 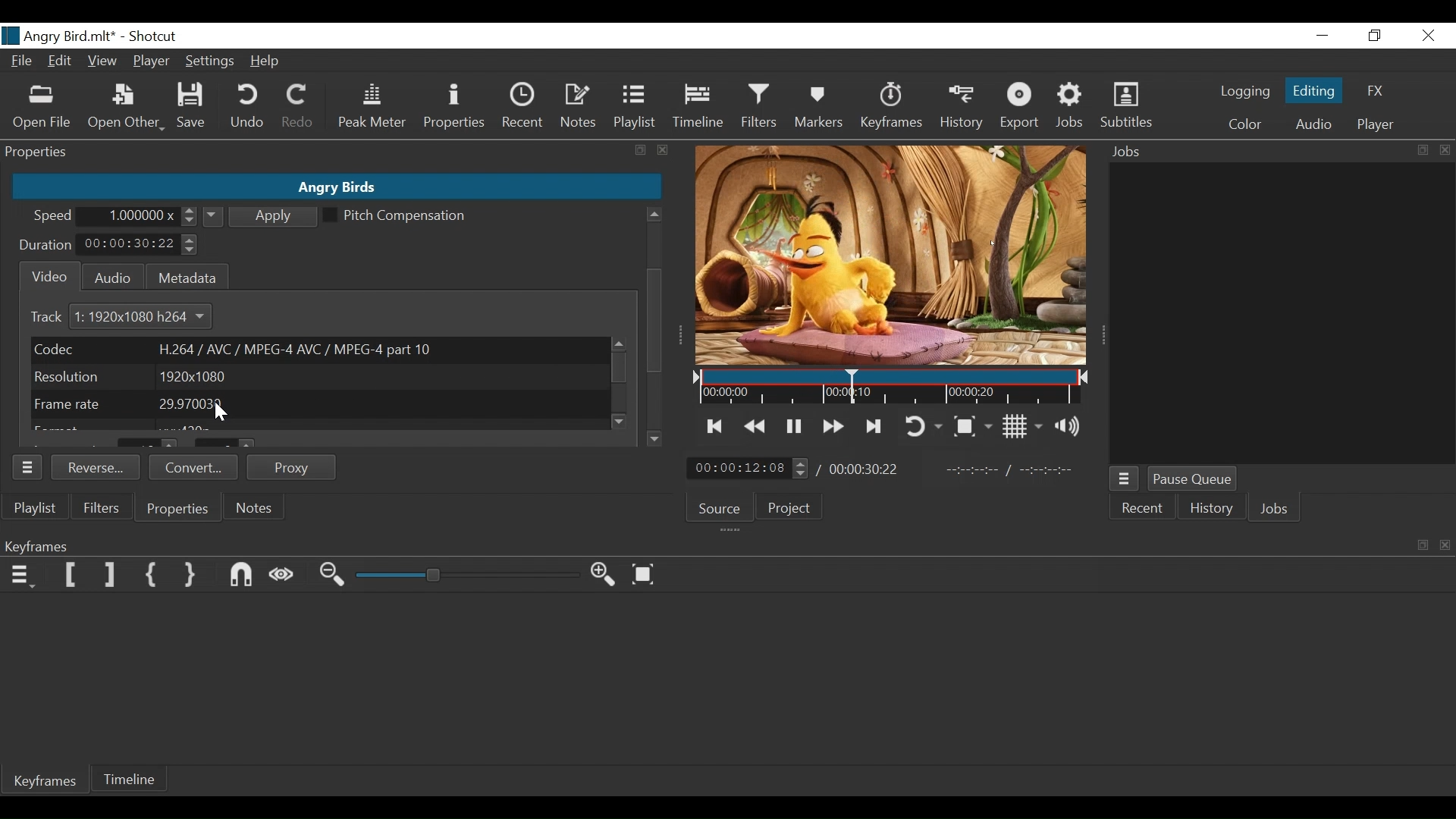 What do you see at coordinates (96, 466) in the screenshot?
I see `Reverse` at bounding box center [96, 466].